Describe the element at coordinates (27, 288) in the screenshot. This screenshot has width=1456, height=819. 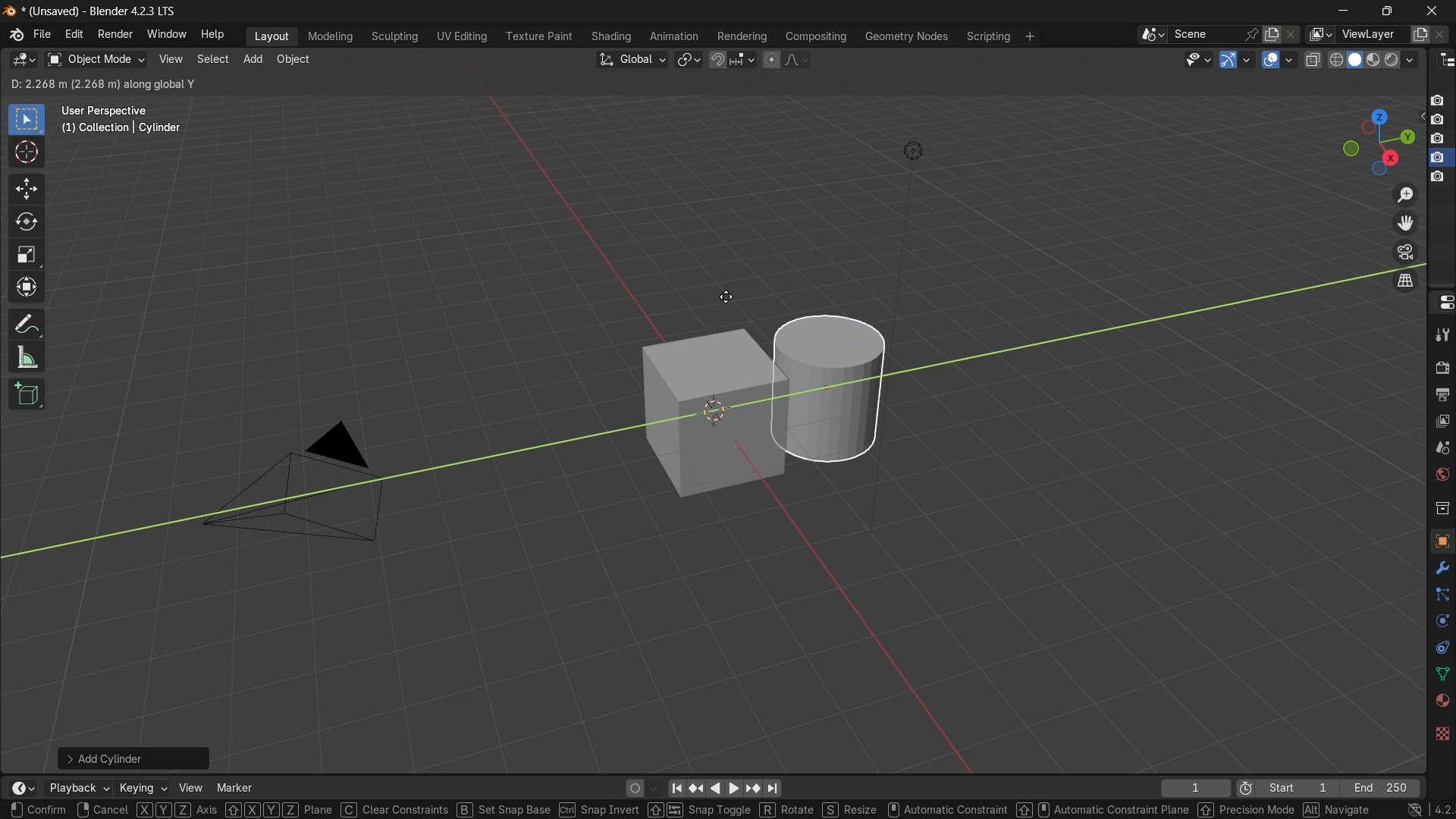
I see `transform` at that location.